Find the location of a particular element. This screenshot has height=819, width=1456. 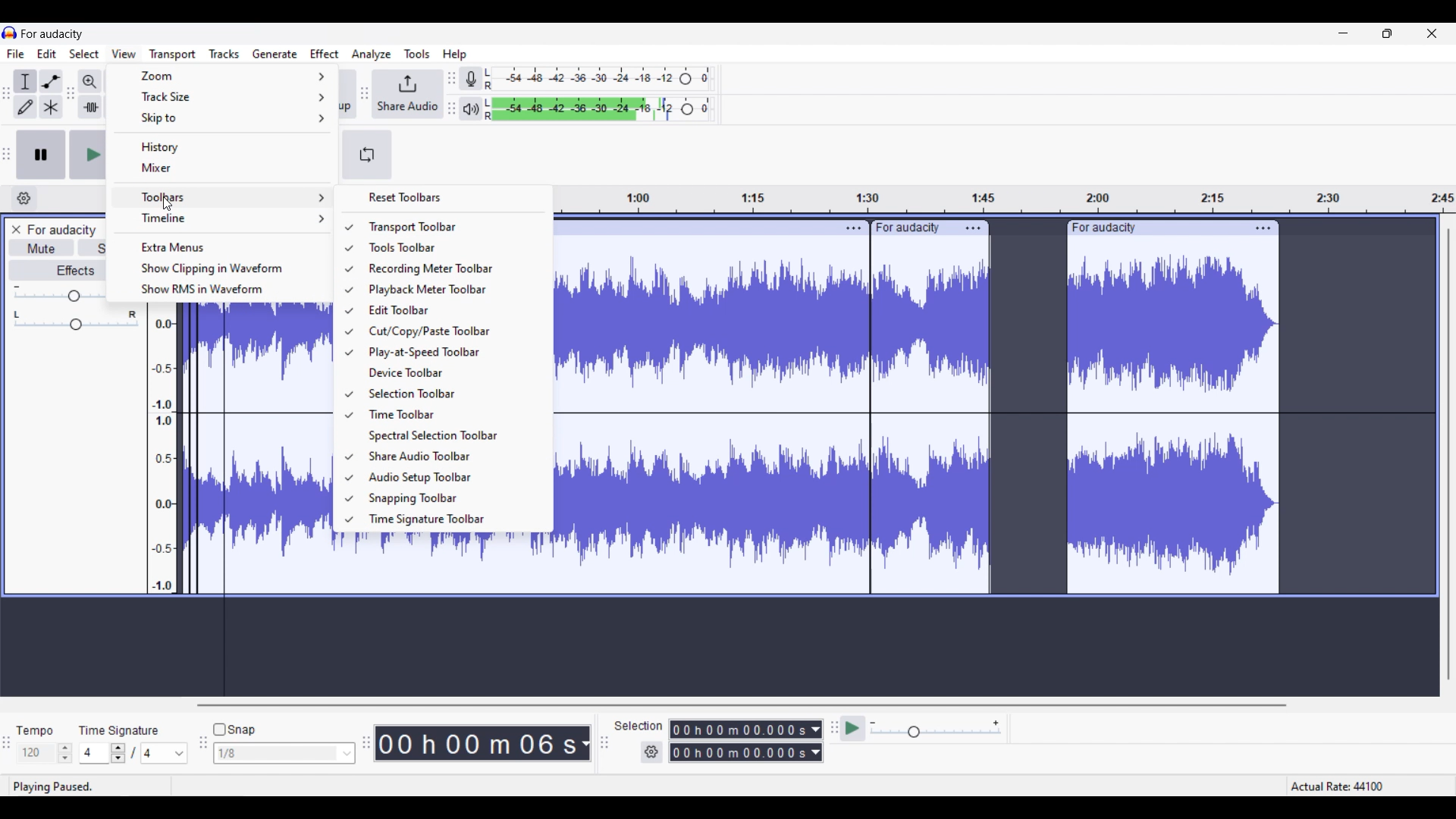

tempo is located at coordinates (35, 730).